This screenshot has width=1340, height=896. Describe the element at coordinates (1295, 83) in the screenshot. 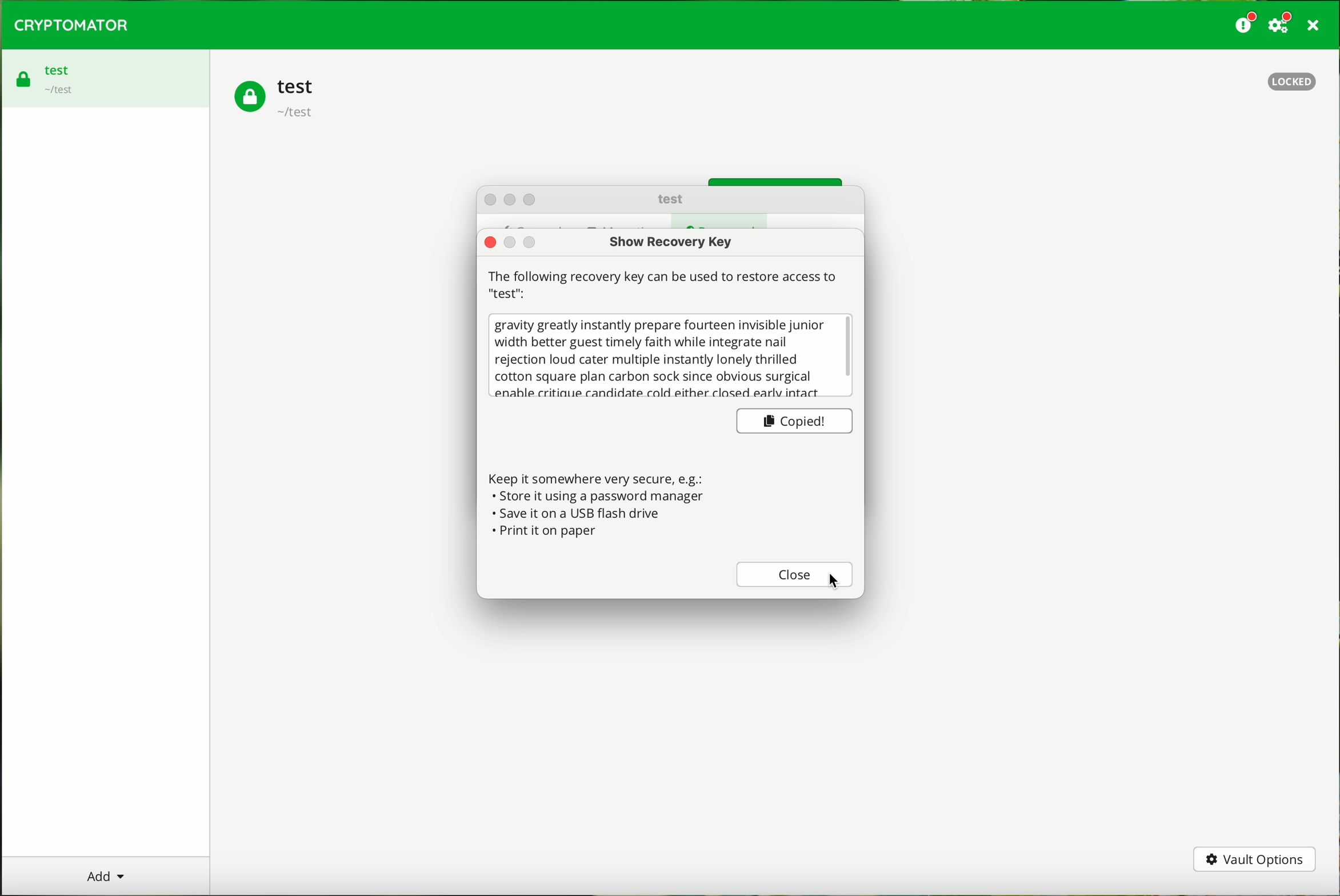

I see `locked` at that location.